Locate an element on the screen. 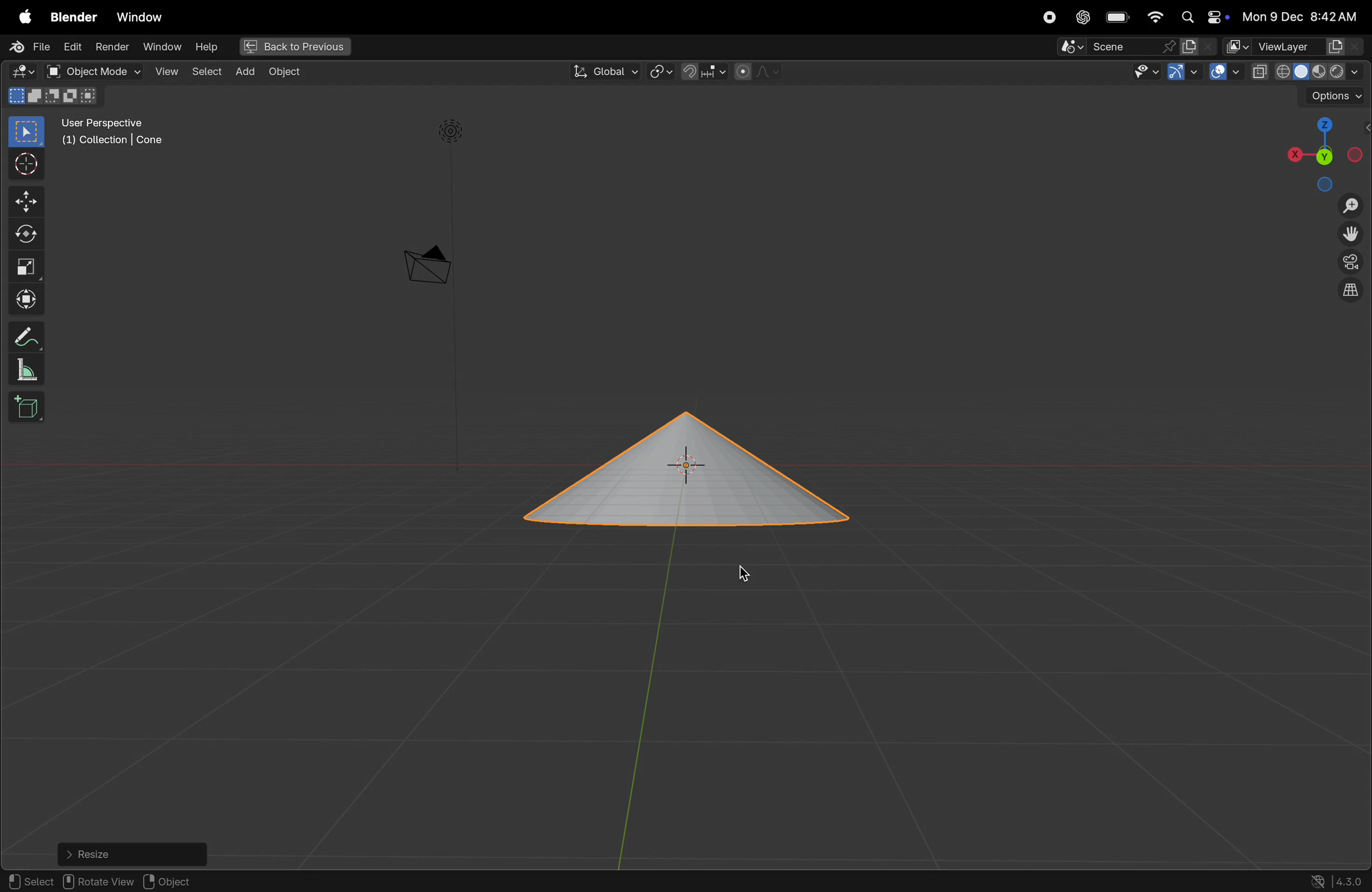  view point is located at coordinates (1319, 151).